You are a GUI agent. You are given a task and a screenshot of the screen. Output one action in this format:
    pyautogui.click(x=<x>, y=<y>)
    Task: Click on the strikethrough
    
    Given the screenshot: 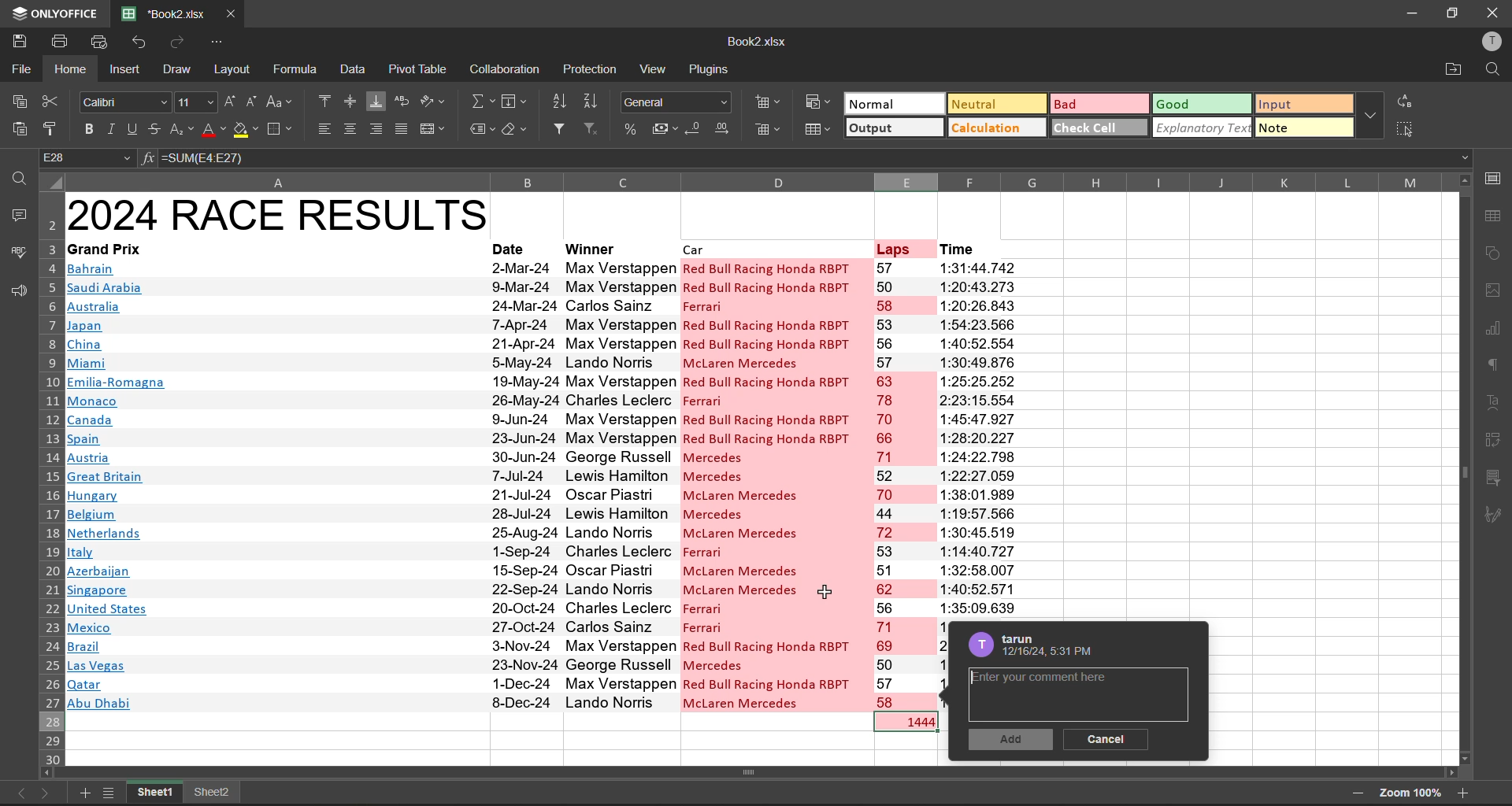 What is the action you would take?
    pyautogui.click(x=157, y=130)
    